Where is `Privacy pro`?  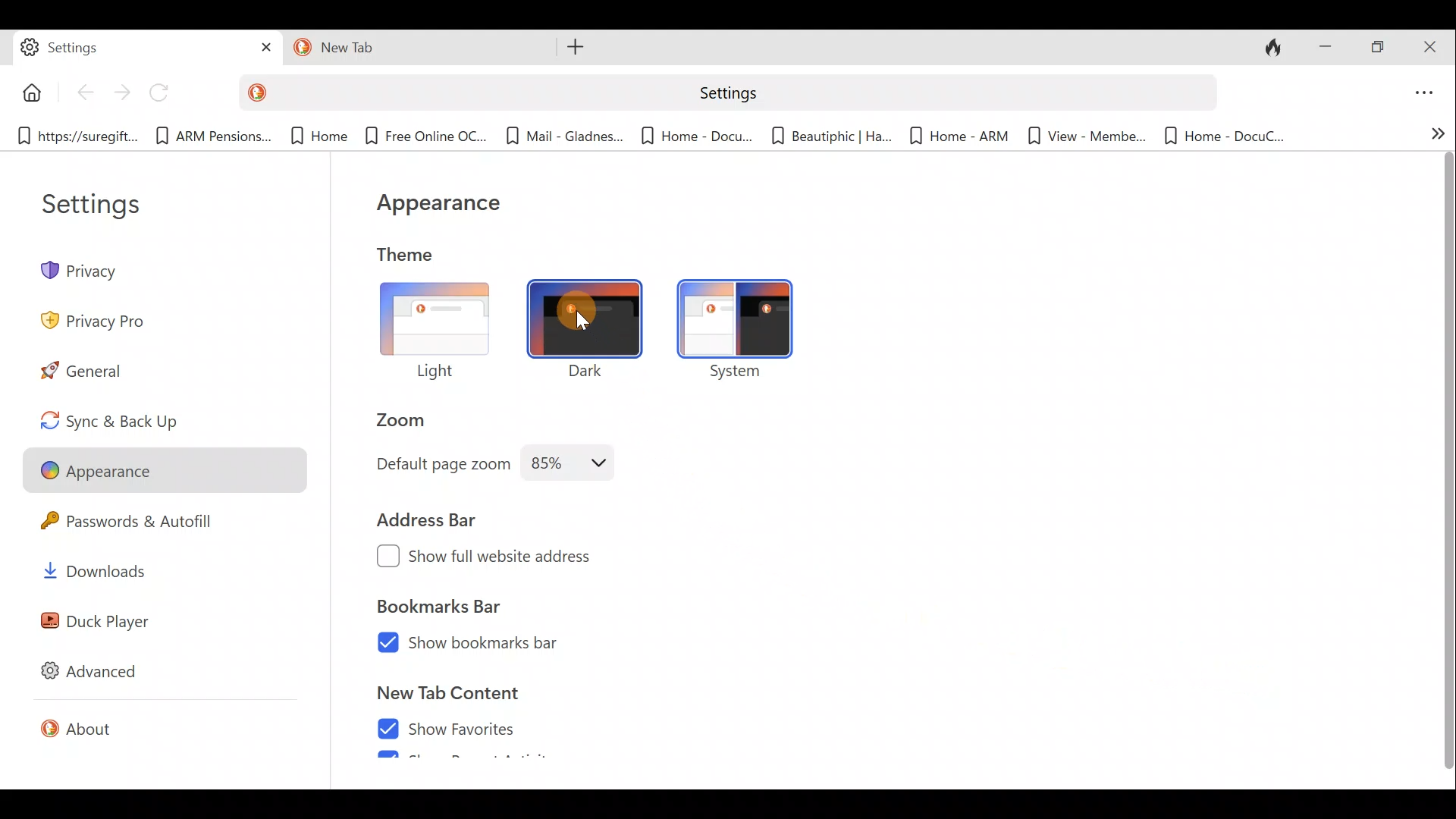 Privacy pro is located at coordinates (83, 318).